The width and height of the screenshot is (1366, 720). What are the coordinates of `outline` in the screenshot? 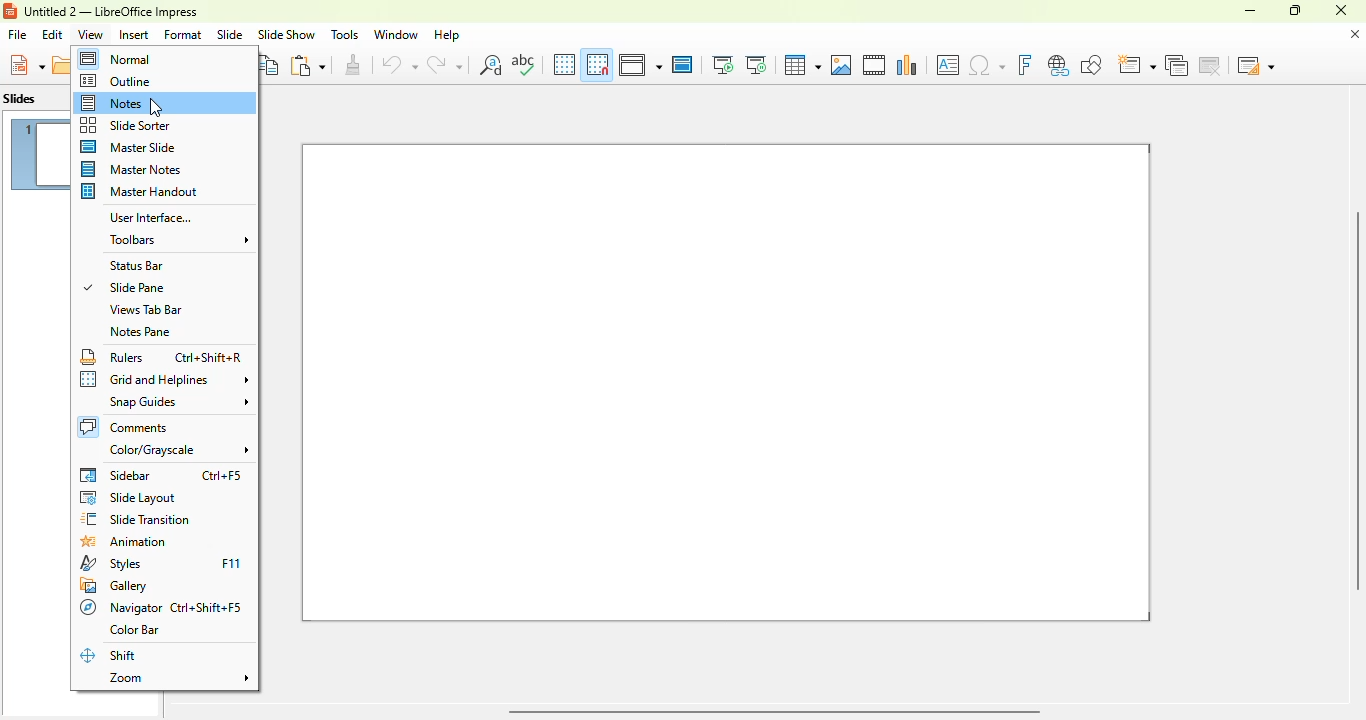 It's located at (116, 81).